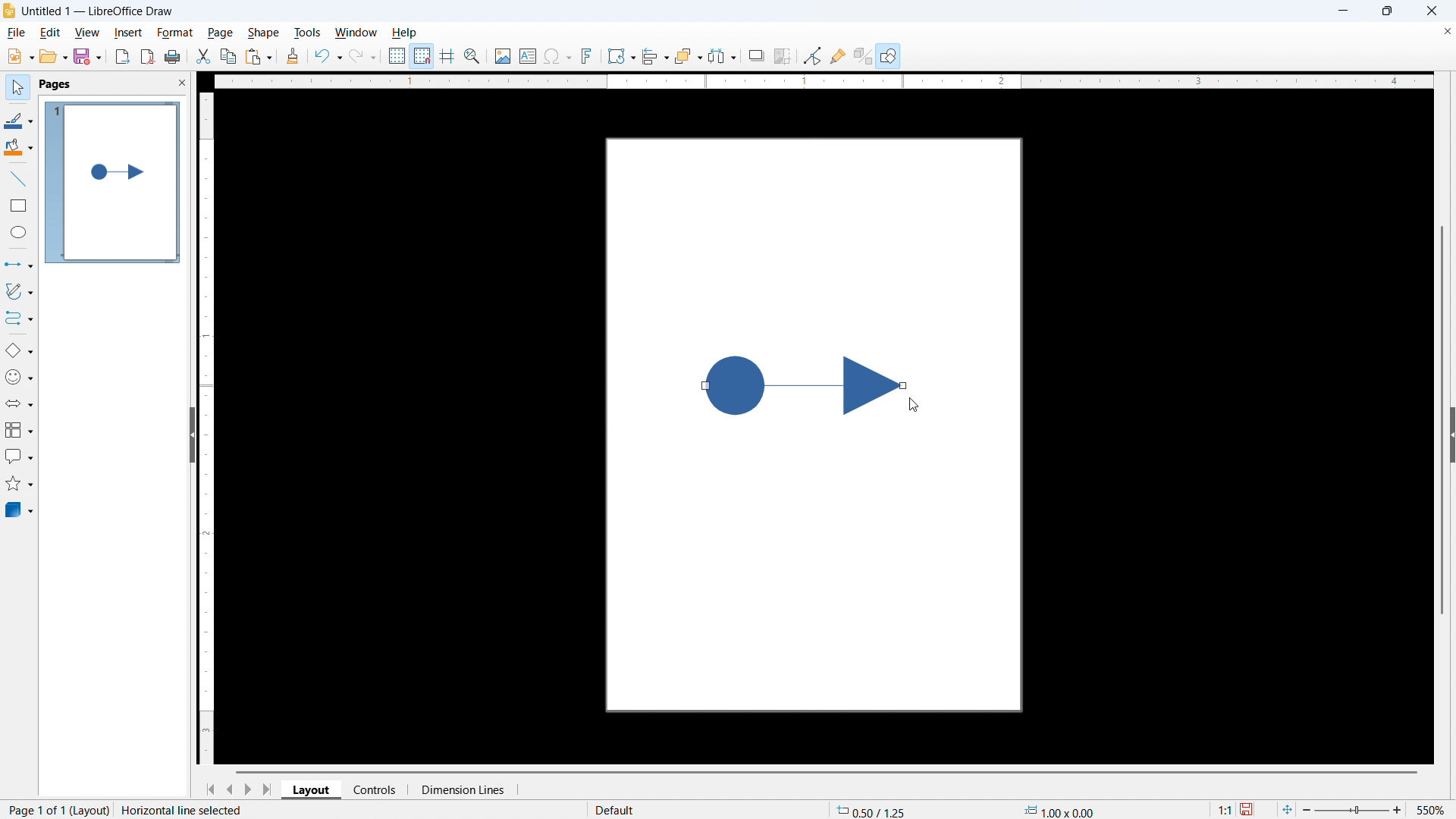 This screenshot has width=1456, height=819. Describe the element at coordinates (20, 206) in the screenshot. I see `Rectangle ` at that location.